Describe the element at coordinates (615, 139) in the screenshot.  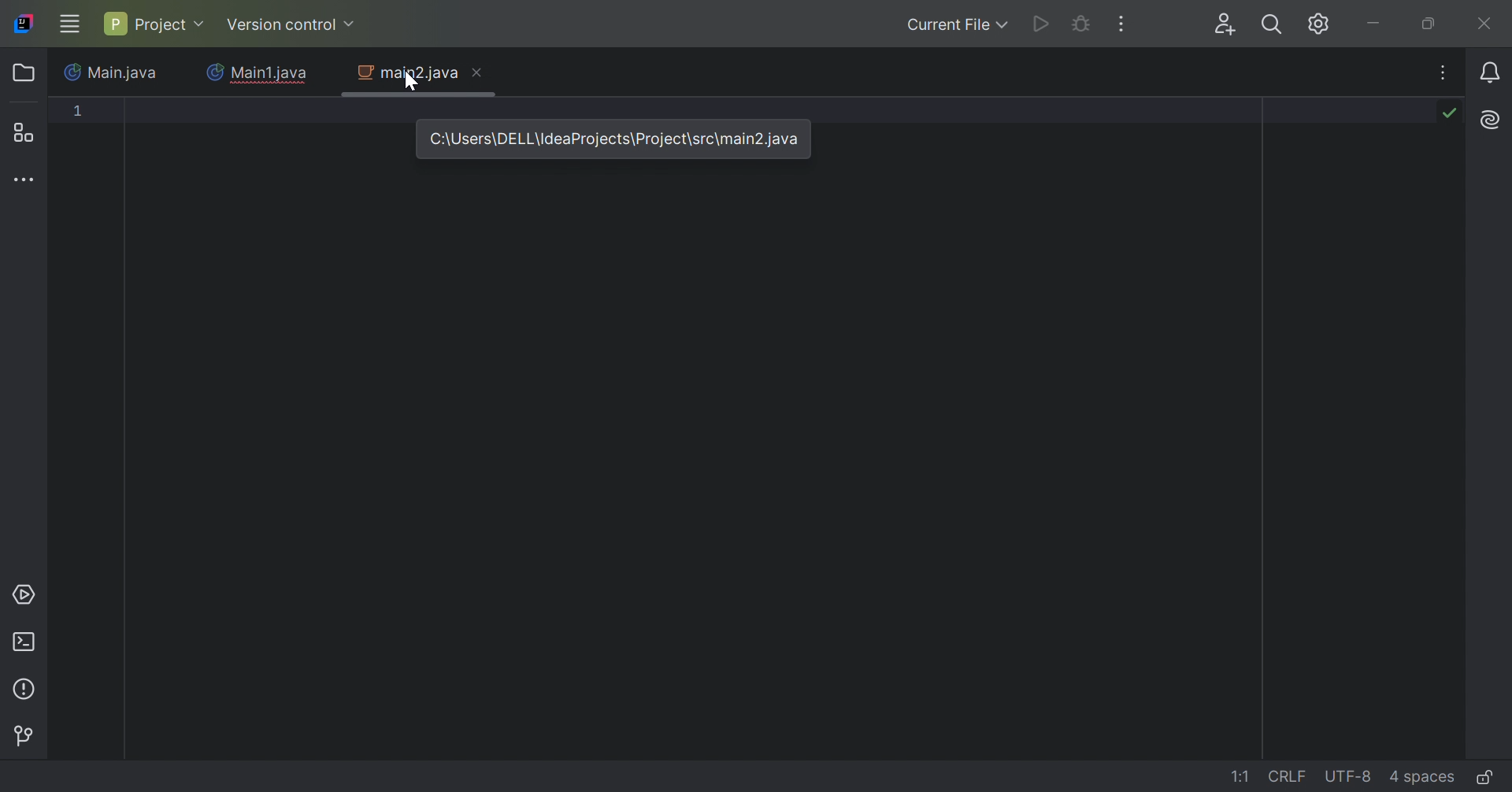
I see `C:\Users\DELL\IdeaProjects\rojects\src\main2.java` at that location.